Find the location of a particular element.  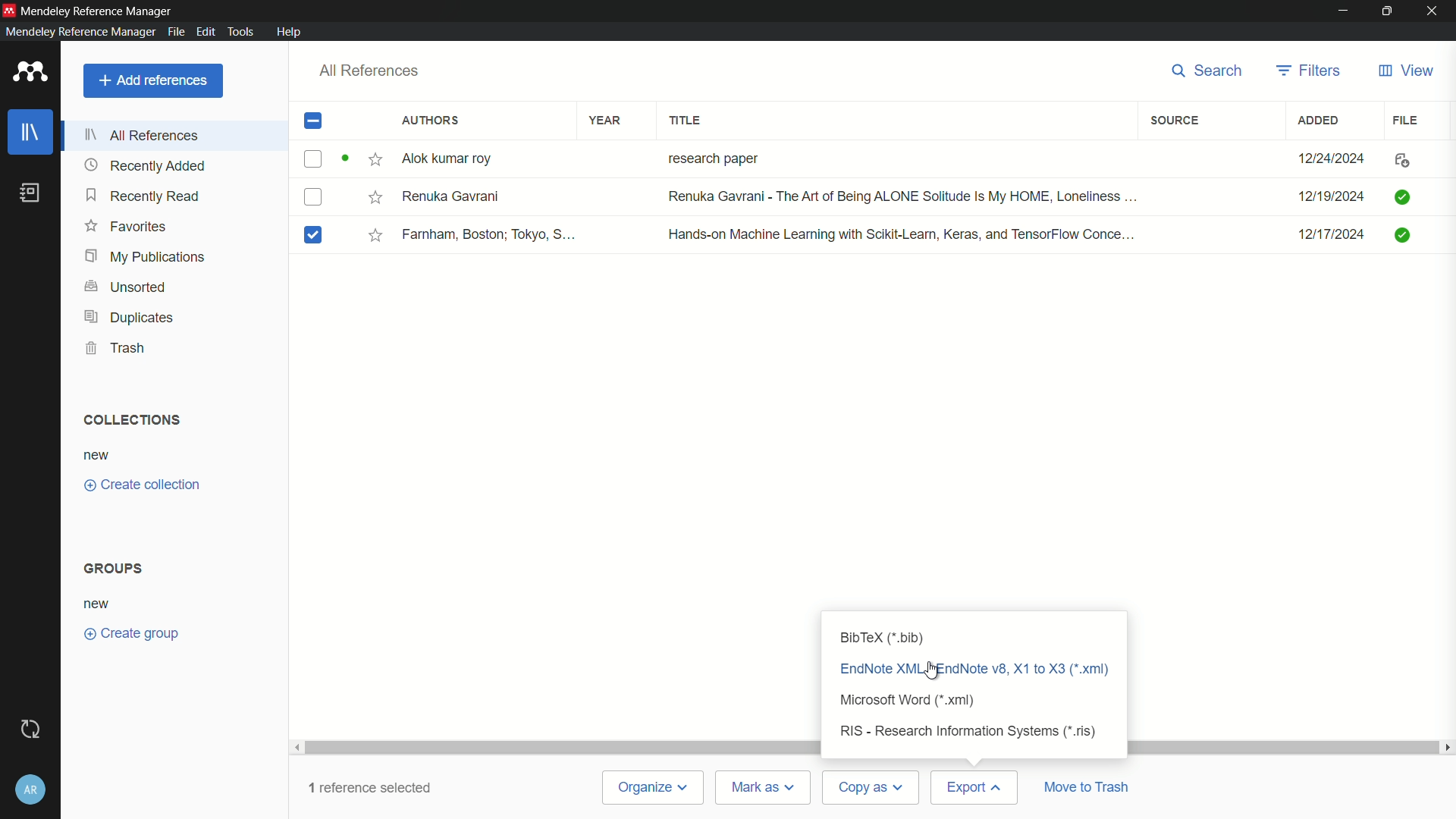

new is located at coordinates (99, 457).